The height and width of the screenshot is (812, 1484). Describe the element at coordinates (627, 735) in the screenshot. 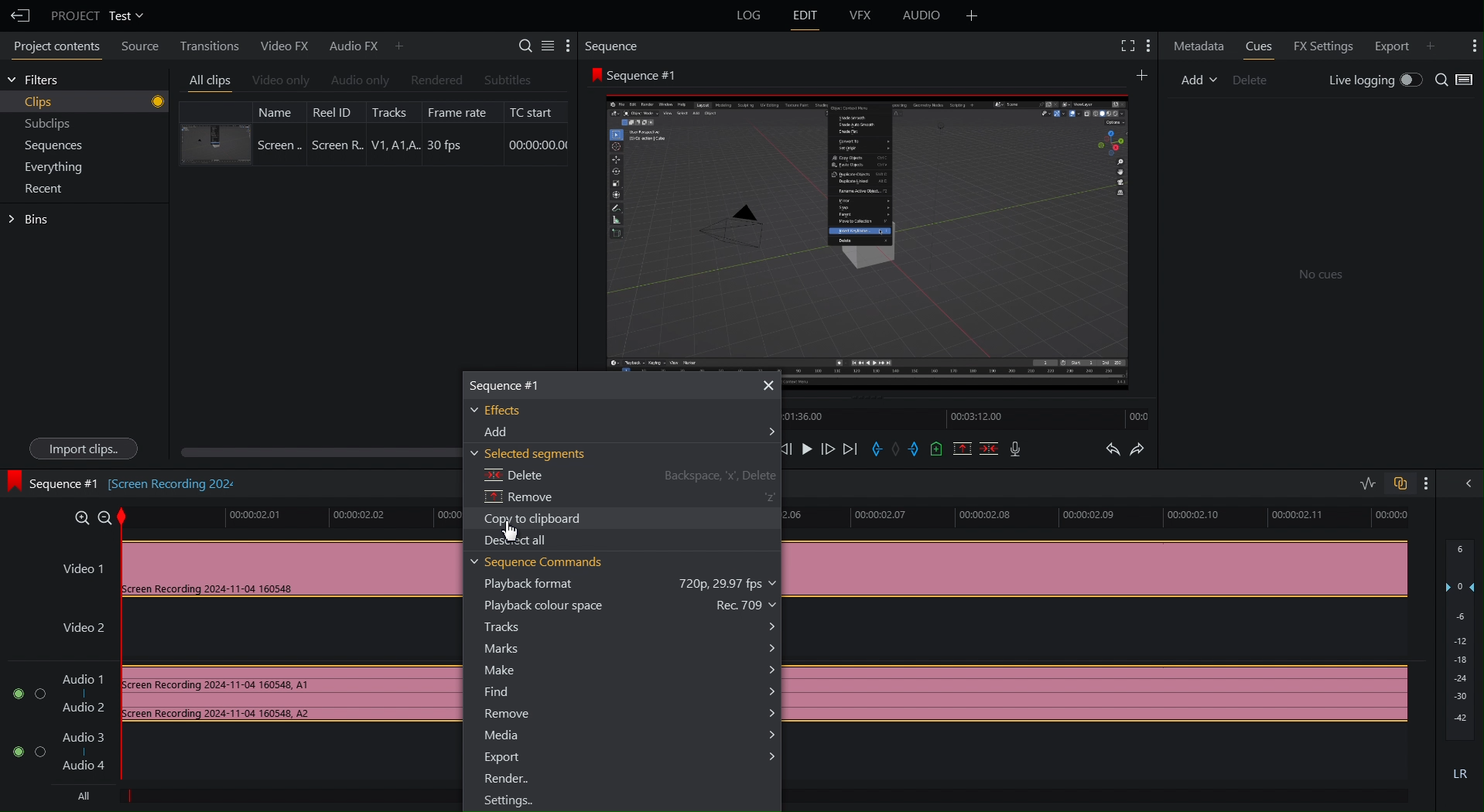

I see `Media` at that location.